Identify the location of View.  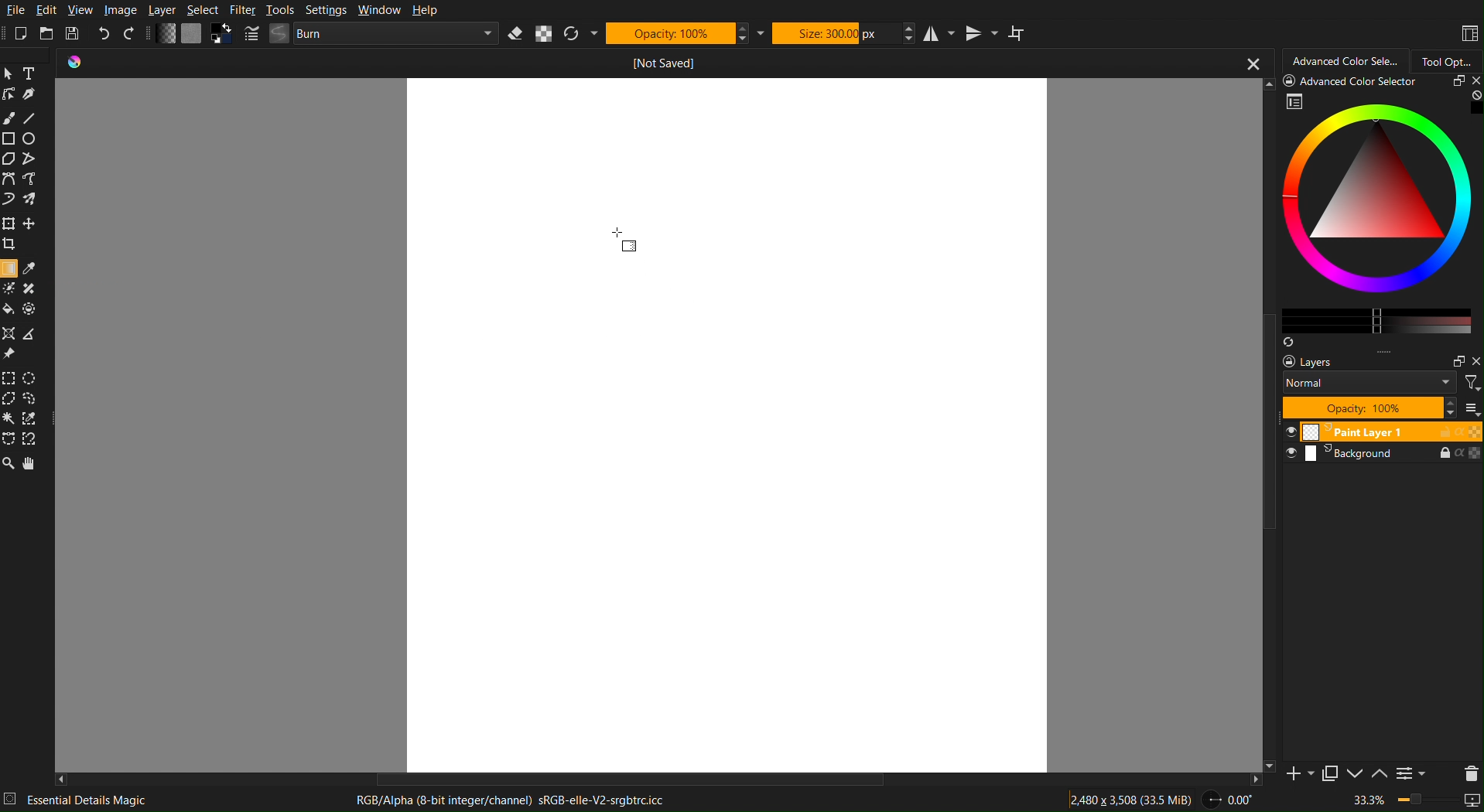
(82, 10).